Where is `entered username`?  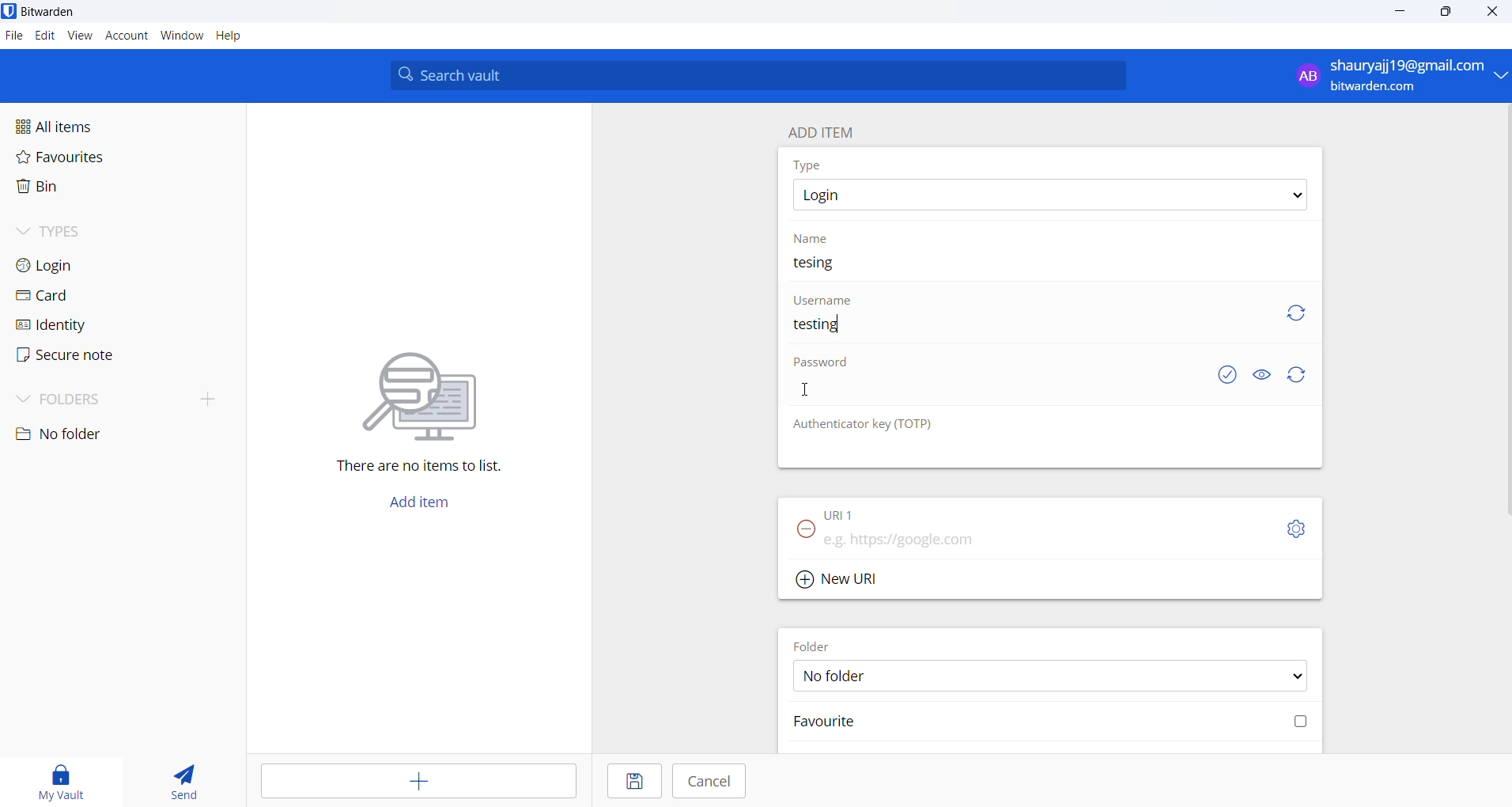
entered username is located at coordinates (826, 325).